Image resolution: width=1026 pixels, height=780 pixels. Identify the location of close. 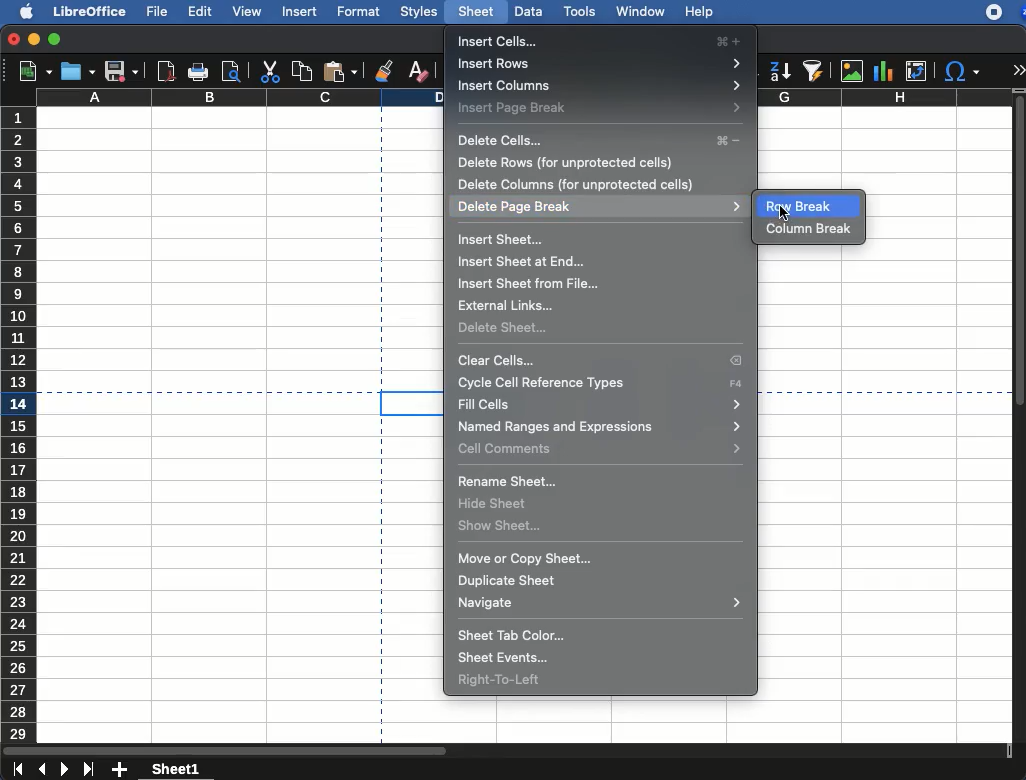
(13, 39).